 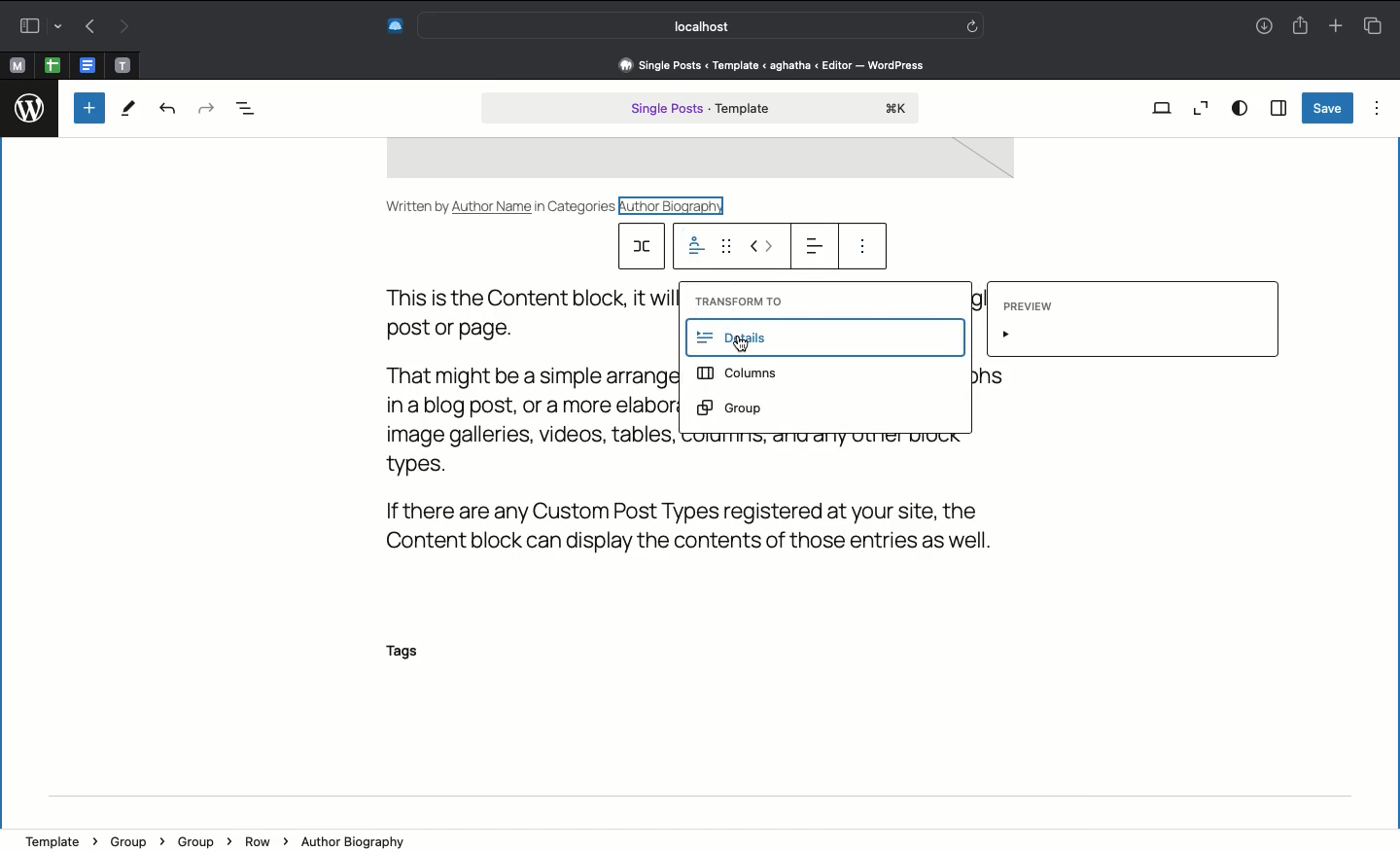 What do you see at coordinates (830, 338) in the screenshot?
I see `Details` at bounding box center [830, 338].